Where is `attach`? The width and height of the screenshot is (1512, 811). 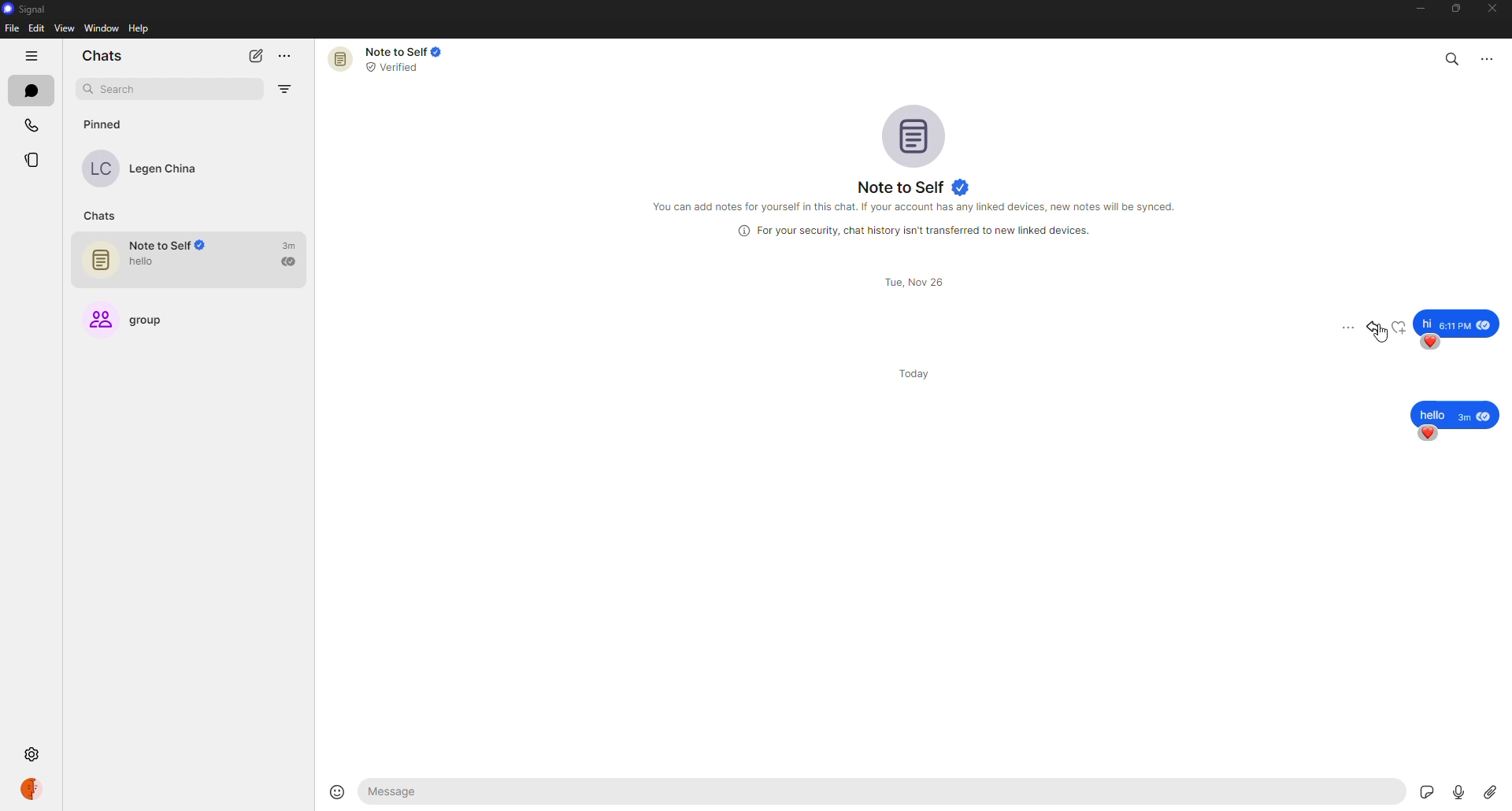 attach is located at coordinates (1492, 791).